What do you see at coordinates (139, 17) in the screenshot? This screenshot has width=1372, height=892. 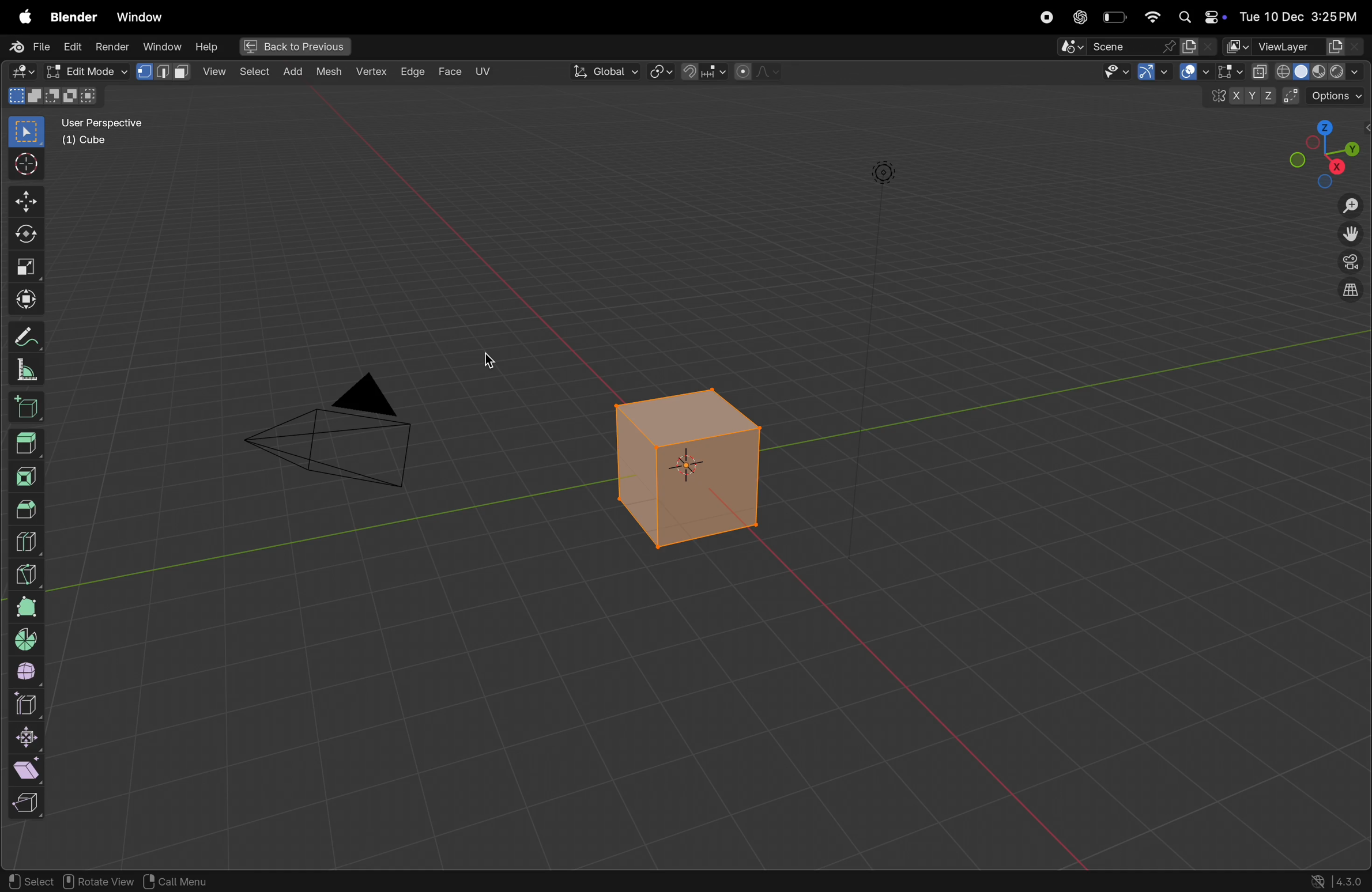 I see `Window` at bounding box center [139, 17].